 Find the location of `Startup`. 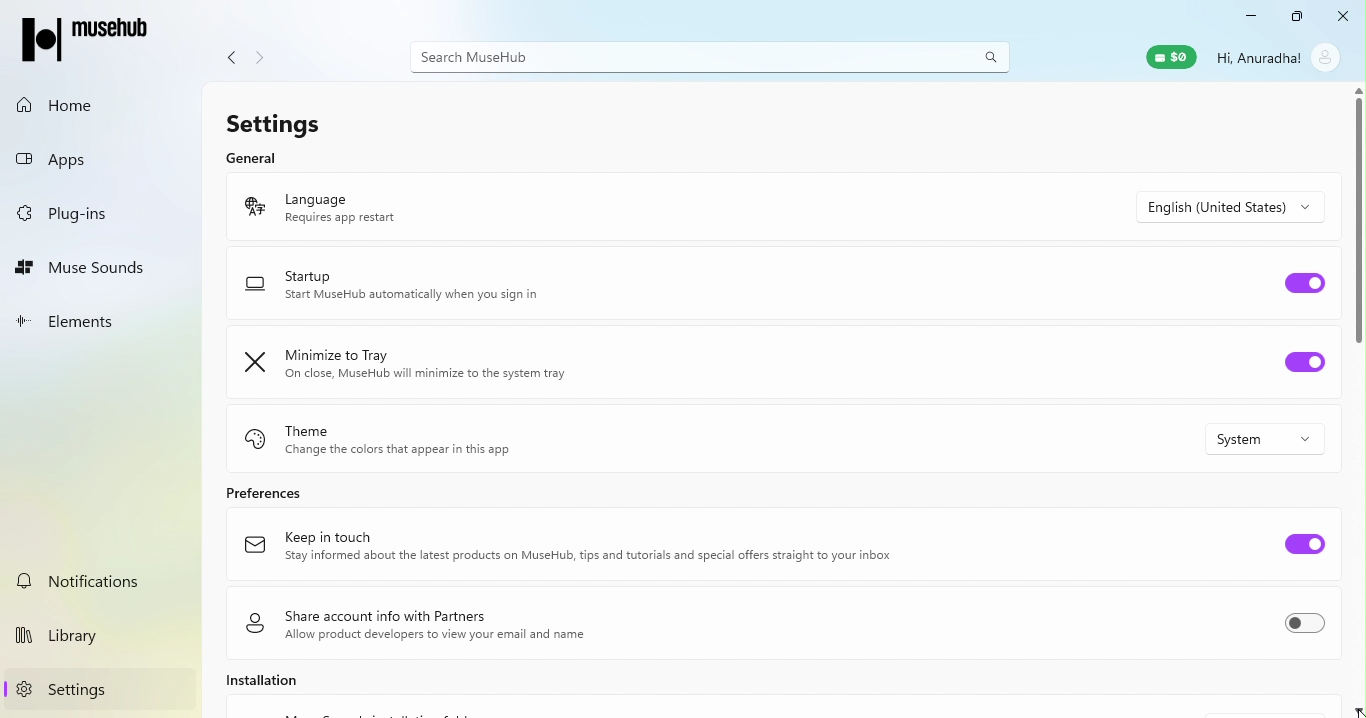

Startup is located at coordinates (517, 284).